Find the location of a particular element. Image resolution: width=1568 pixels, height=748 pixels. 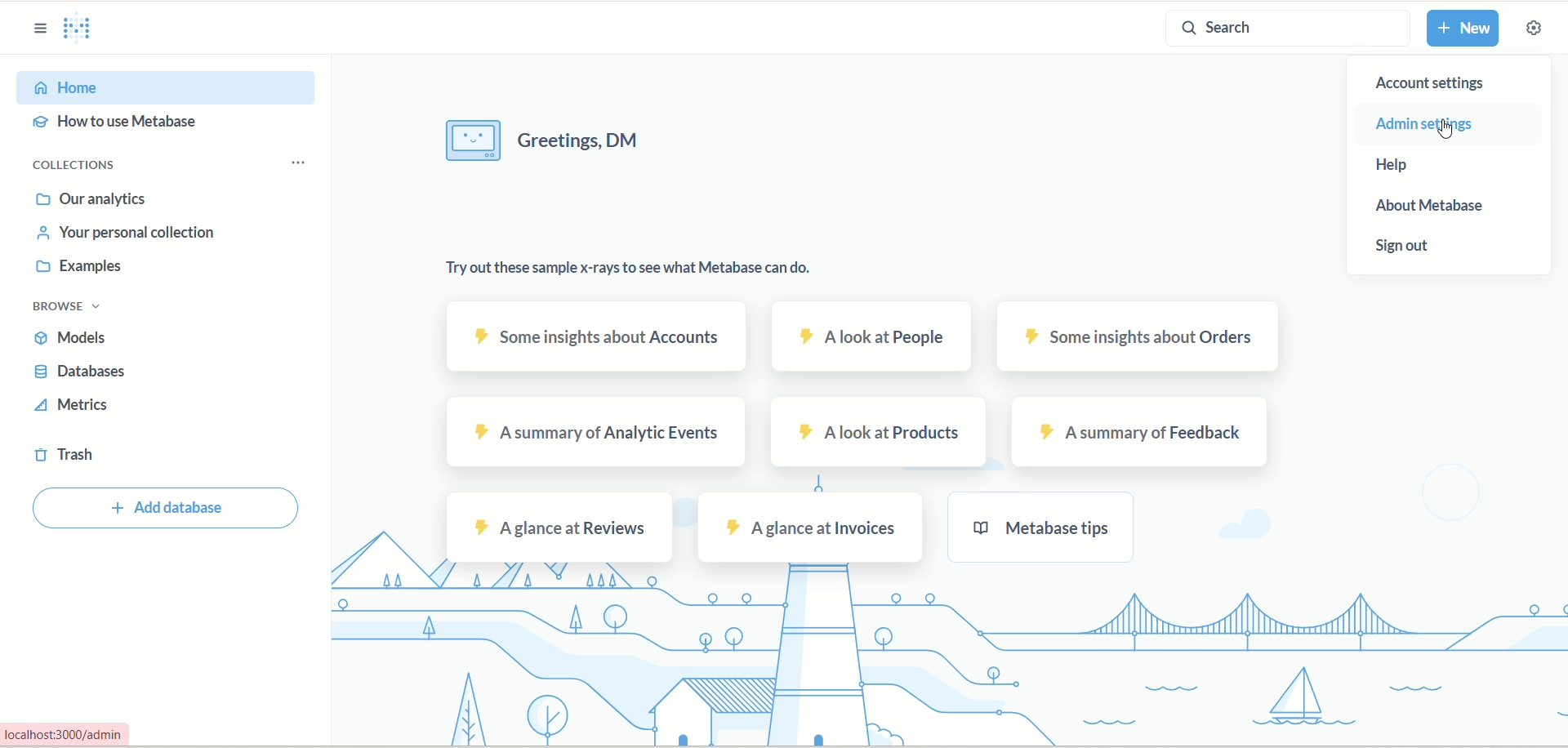

our analytics is located at coordinates (92, 203).